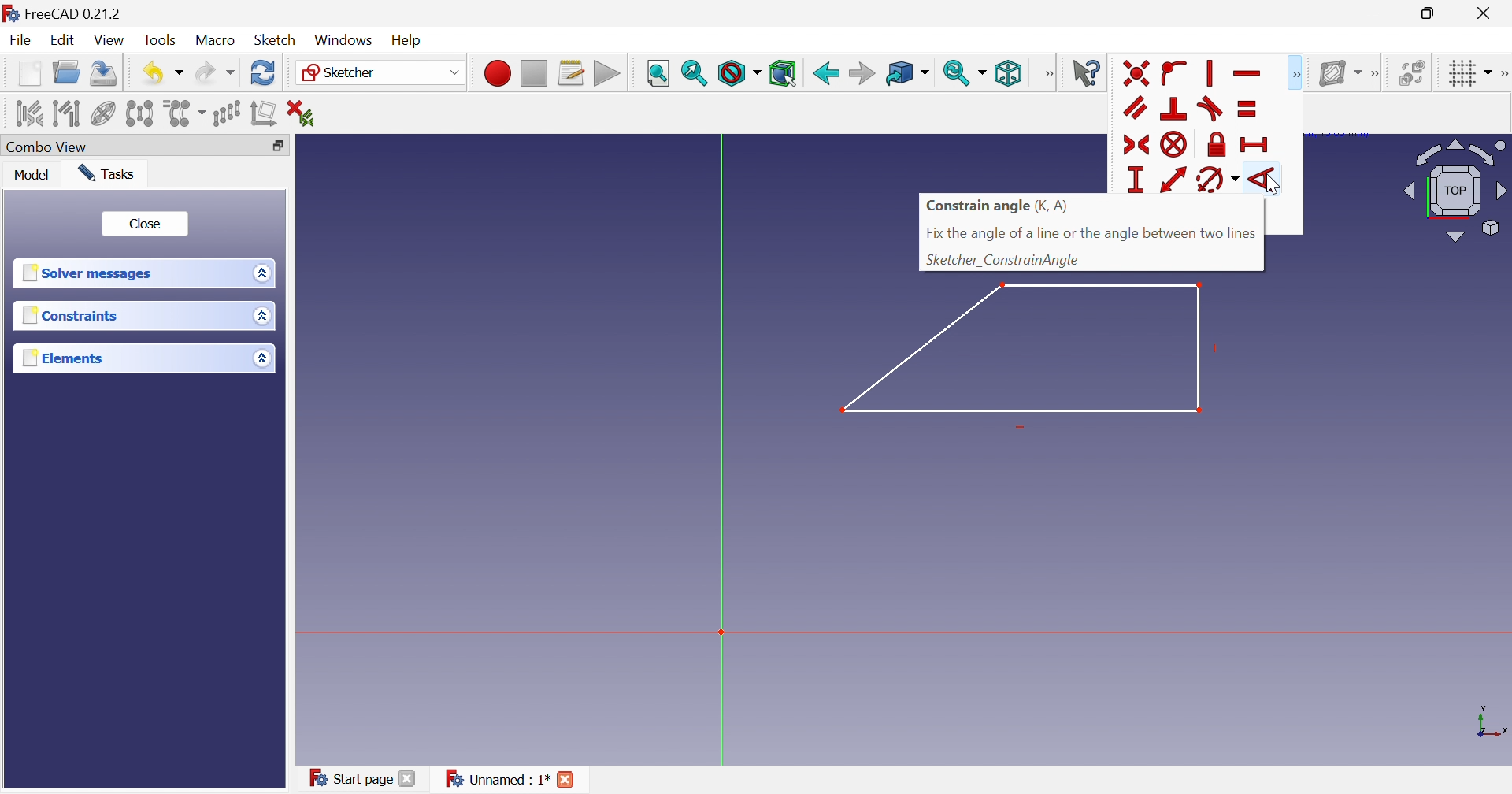 The height and width of the screenshot is (794, 1512). Describe the element at coordinates (70, 316) in the screenshot. I see `Constraints` at that location.